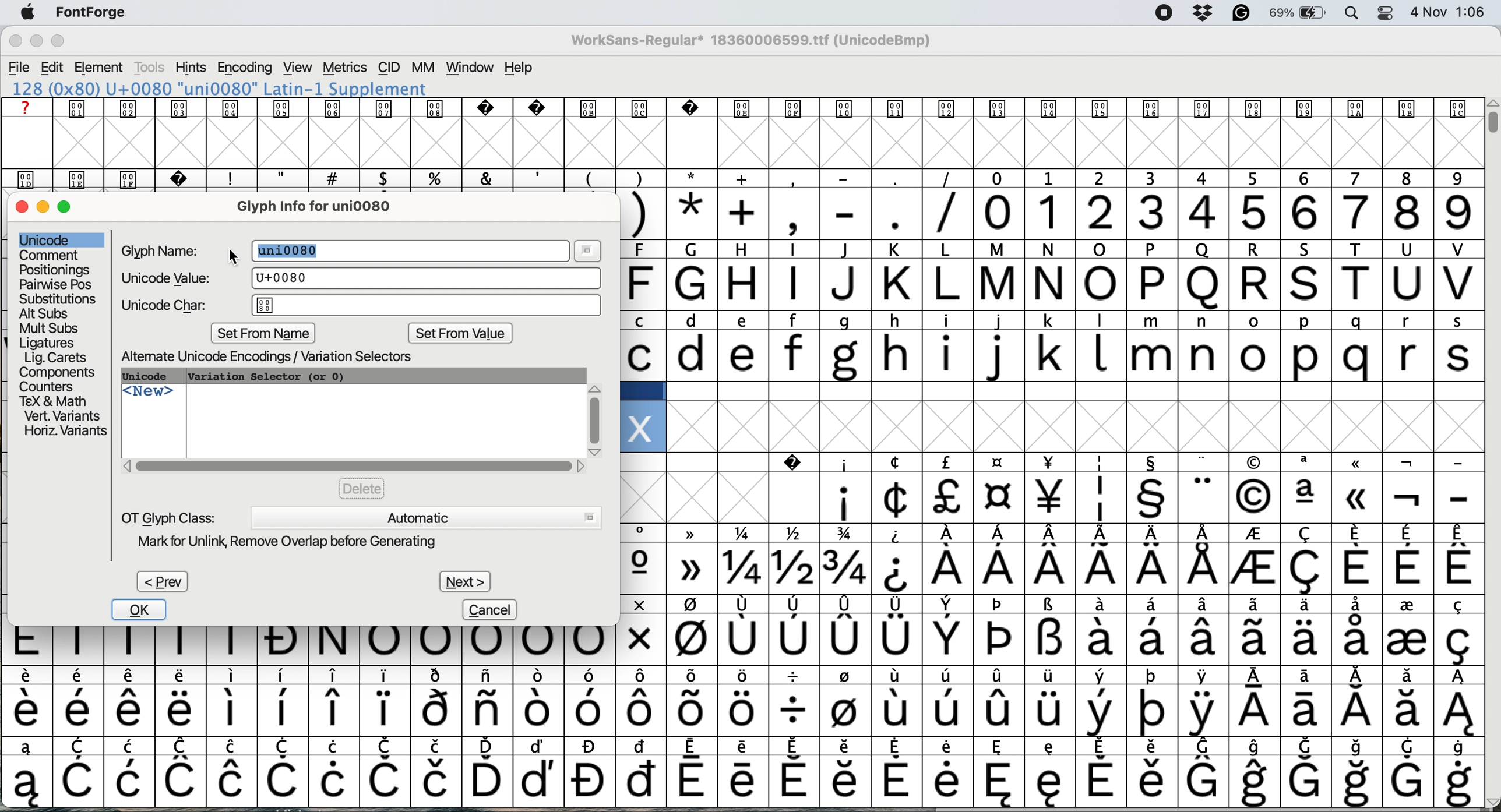  Describe the element at coordinates (1051, 463) in the screenshot. I see `SPECIAL CHARACTERS` at that location.